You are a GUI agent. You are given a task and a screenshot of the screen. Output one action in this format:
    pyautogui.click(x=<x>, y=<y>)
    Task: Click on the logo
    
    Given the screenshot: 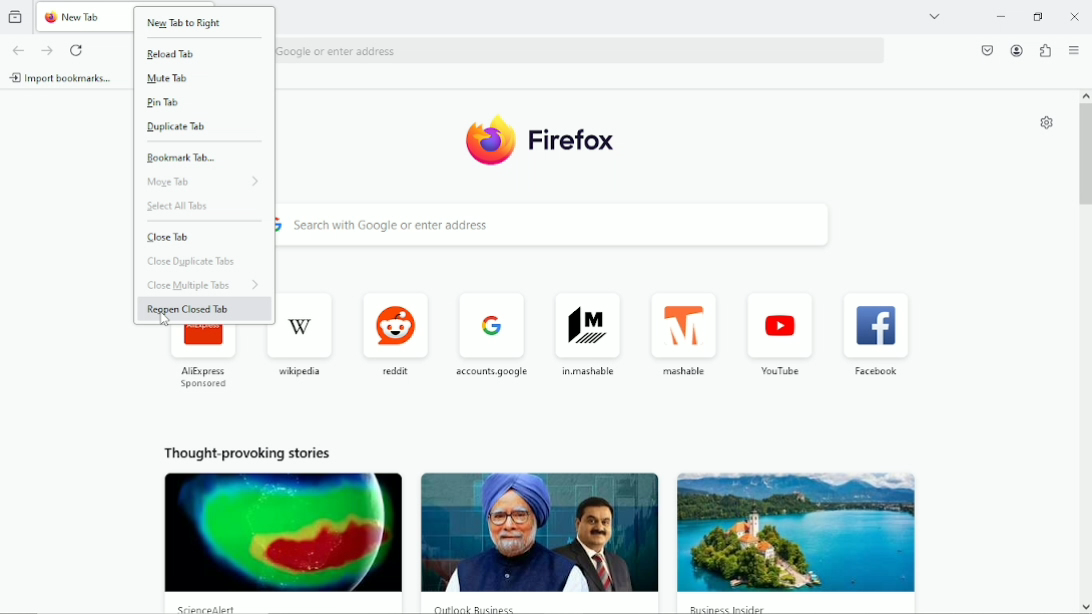 What is the action you would take?
    pyautogui.click(x=538, y=138)
    